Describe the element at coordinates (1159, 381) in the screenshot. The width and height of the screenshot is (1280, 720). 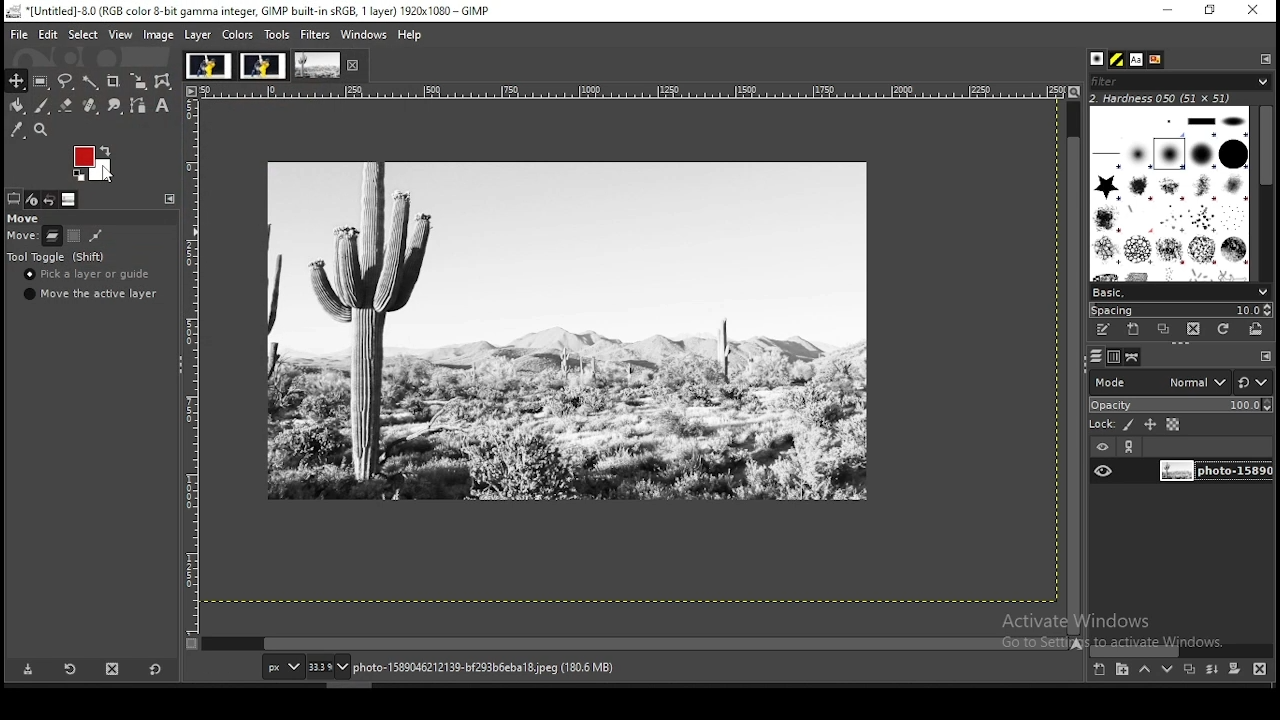
I see `mode` at that location.